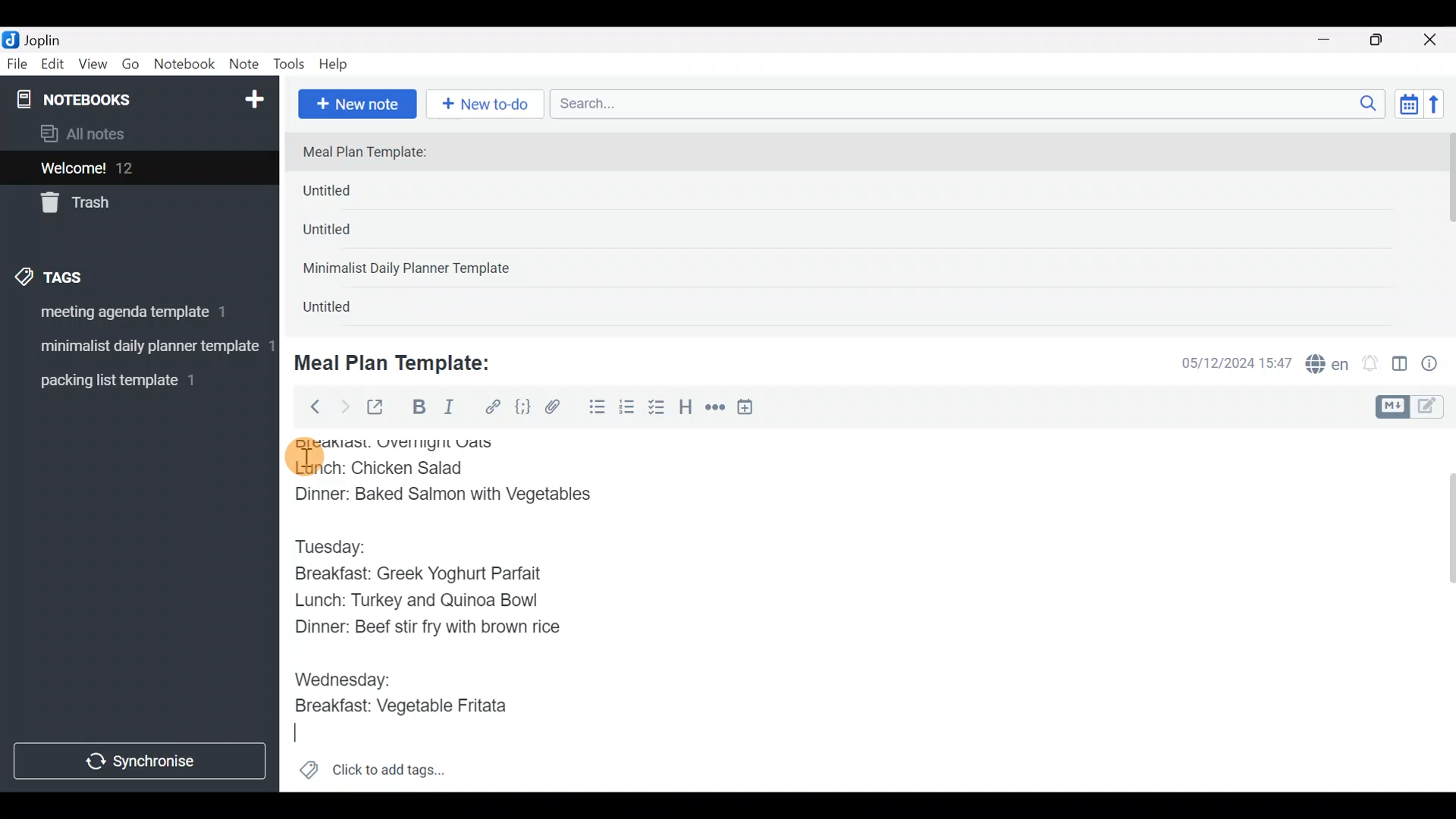  I want to click on Back, so click(309, 406).